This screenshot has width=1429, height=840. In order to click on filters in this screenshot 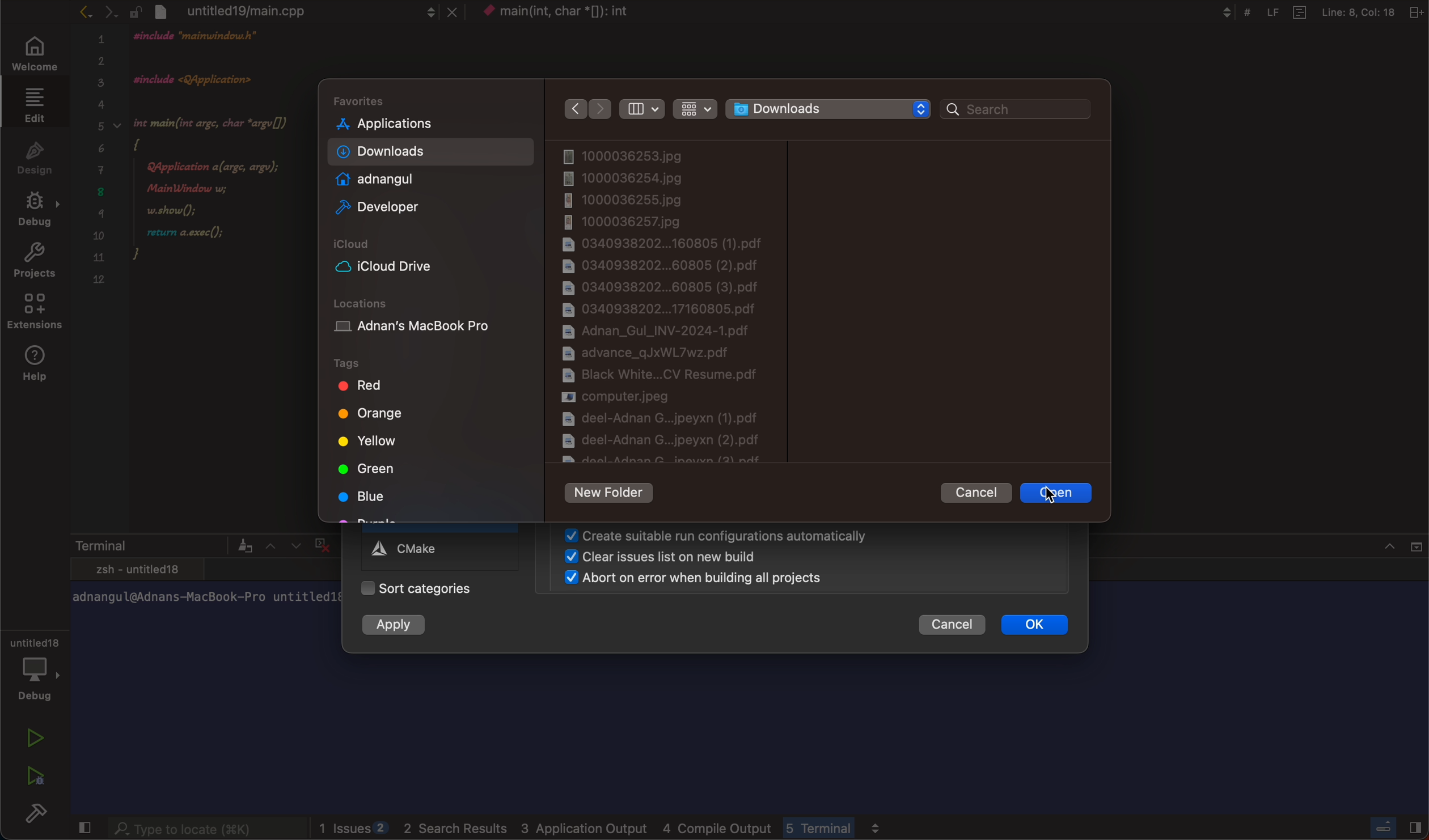, I will do `click(666, 108)`.